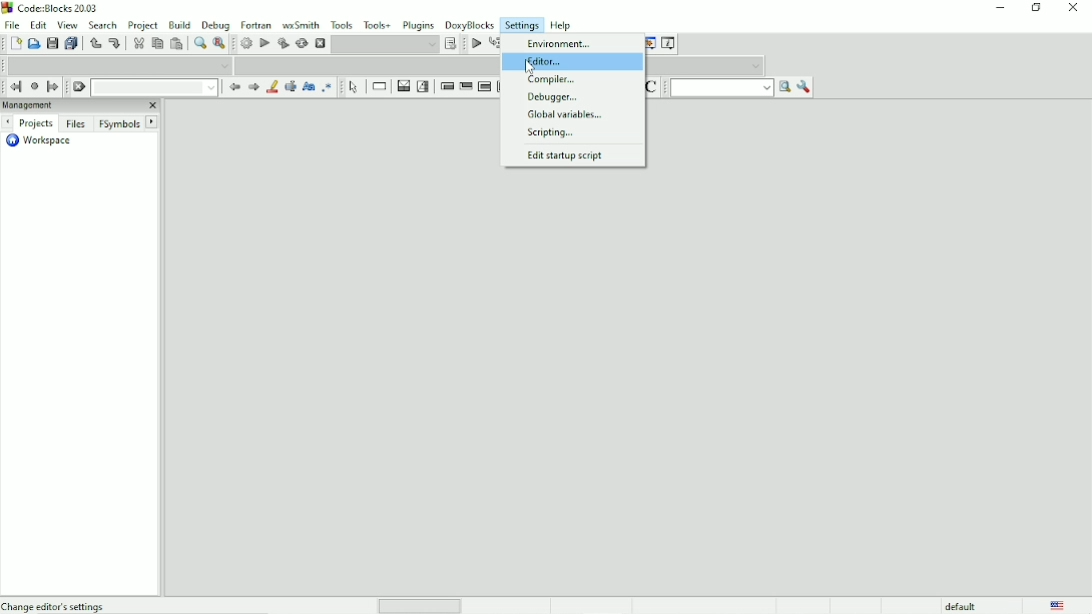 This screenshot has height=614, width=1092. I want to click on Drop down, so click(210, 88).